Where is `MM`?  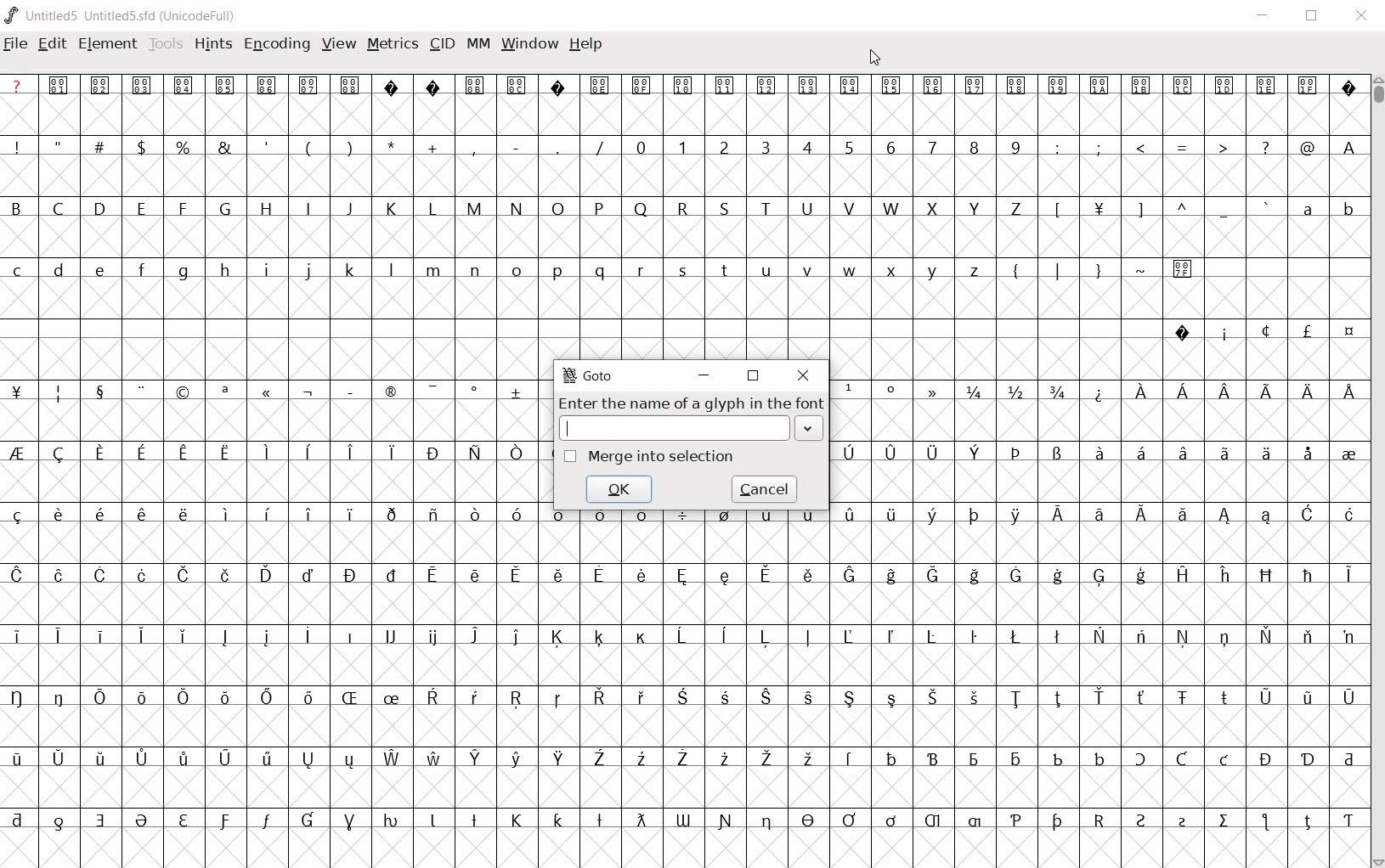
MM is located at coordinates (479, 45).